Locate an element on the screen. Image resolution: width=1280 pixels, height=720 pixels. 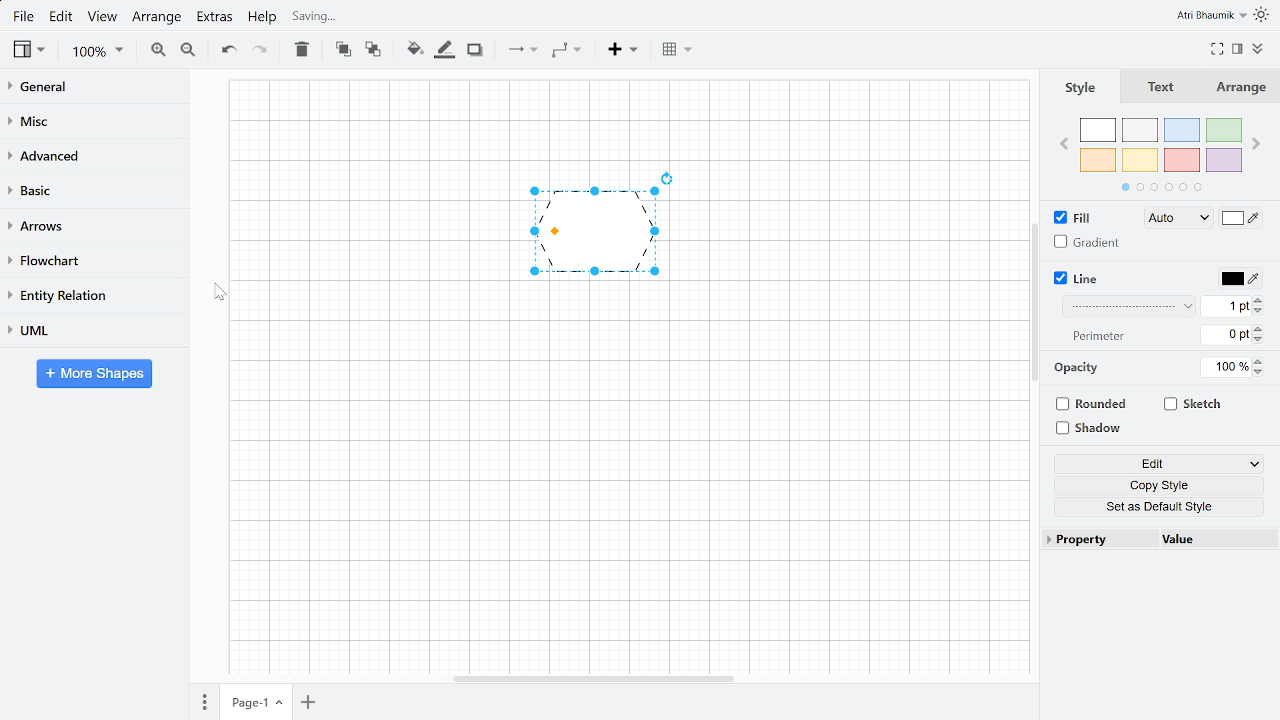
Set as Default style is located at coordinates (1160, 506).